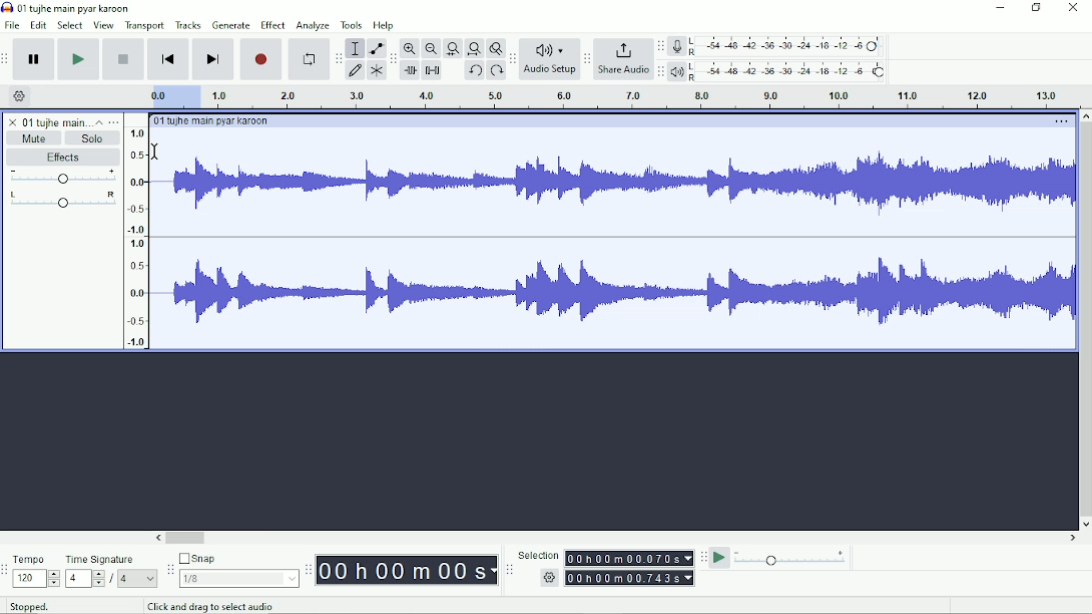 This screenshot has height=614, width=1092. What do you see at coordinates (114, 122) in the screenshot?
I see `Open menu` at bounding box center [114, 122].